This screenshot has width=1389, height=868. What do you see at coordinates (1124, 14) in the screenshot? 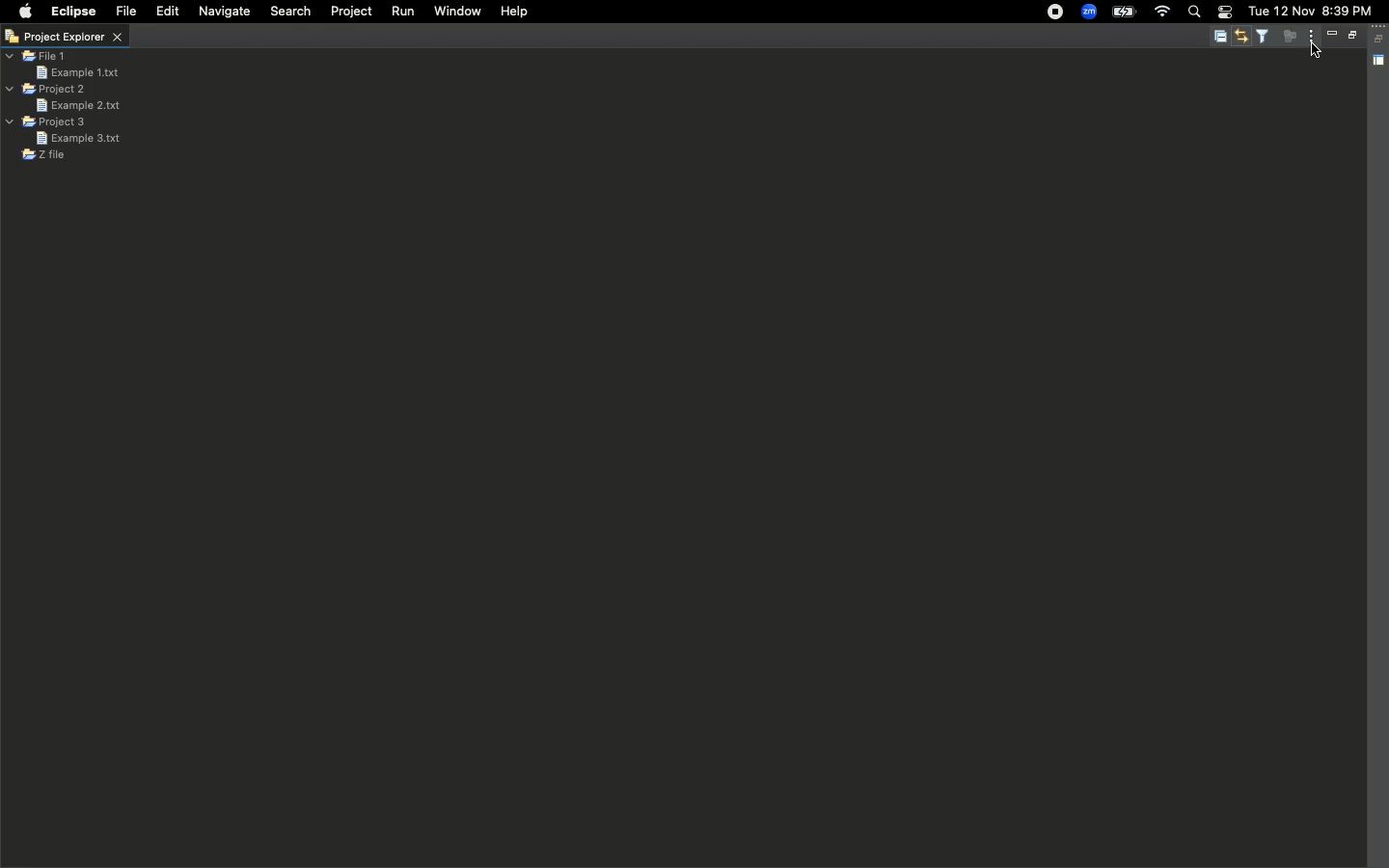
I see `Charge` at bounding box center [1124, 14].